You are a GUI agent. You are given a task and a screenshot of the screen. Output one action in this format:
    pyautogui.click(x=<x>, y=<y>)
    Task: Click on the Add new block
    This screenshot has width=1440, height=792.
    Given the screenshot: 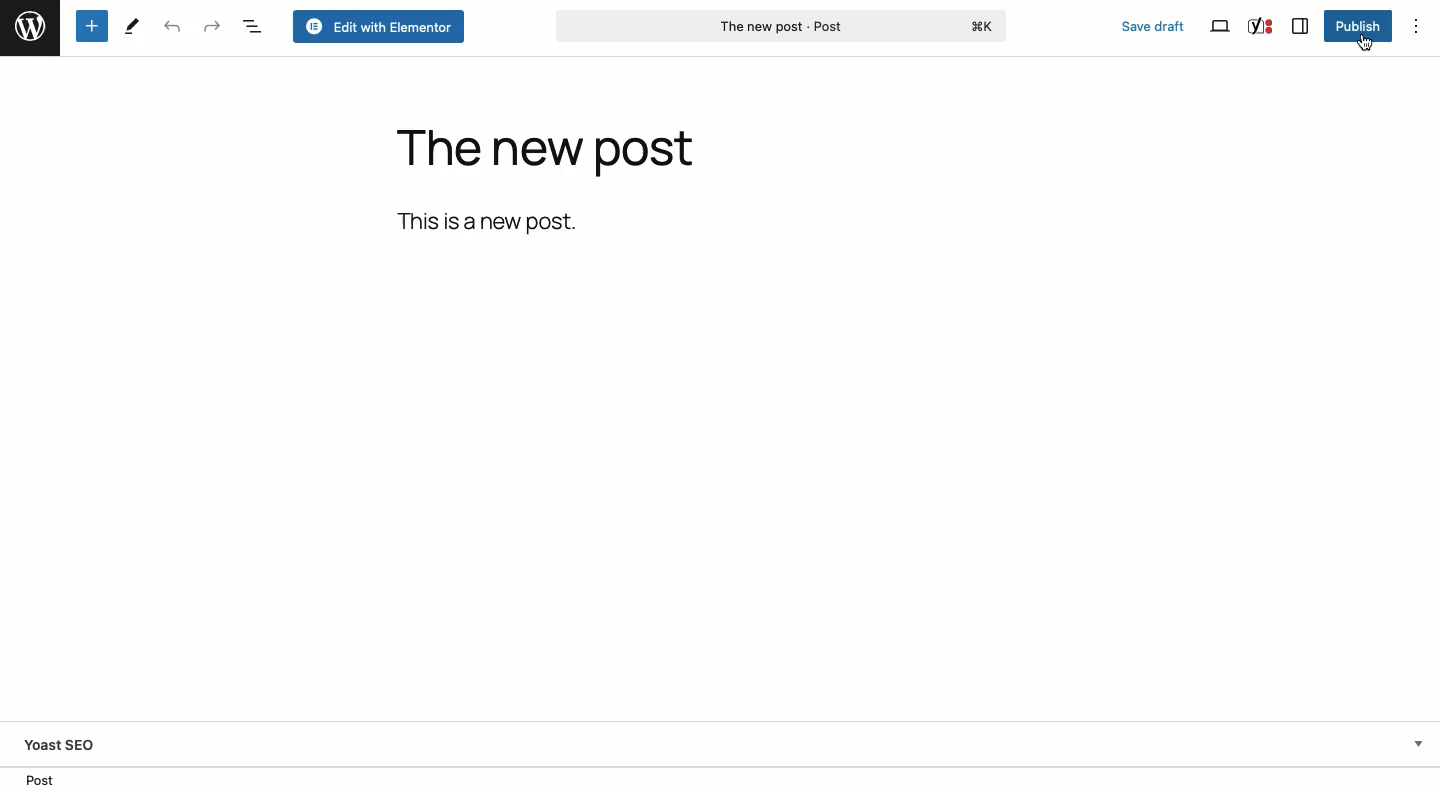 What is the action you would take?
    pyautogui.click(x=92, y=26)
    